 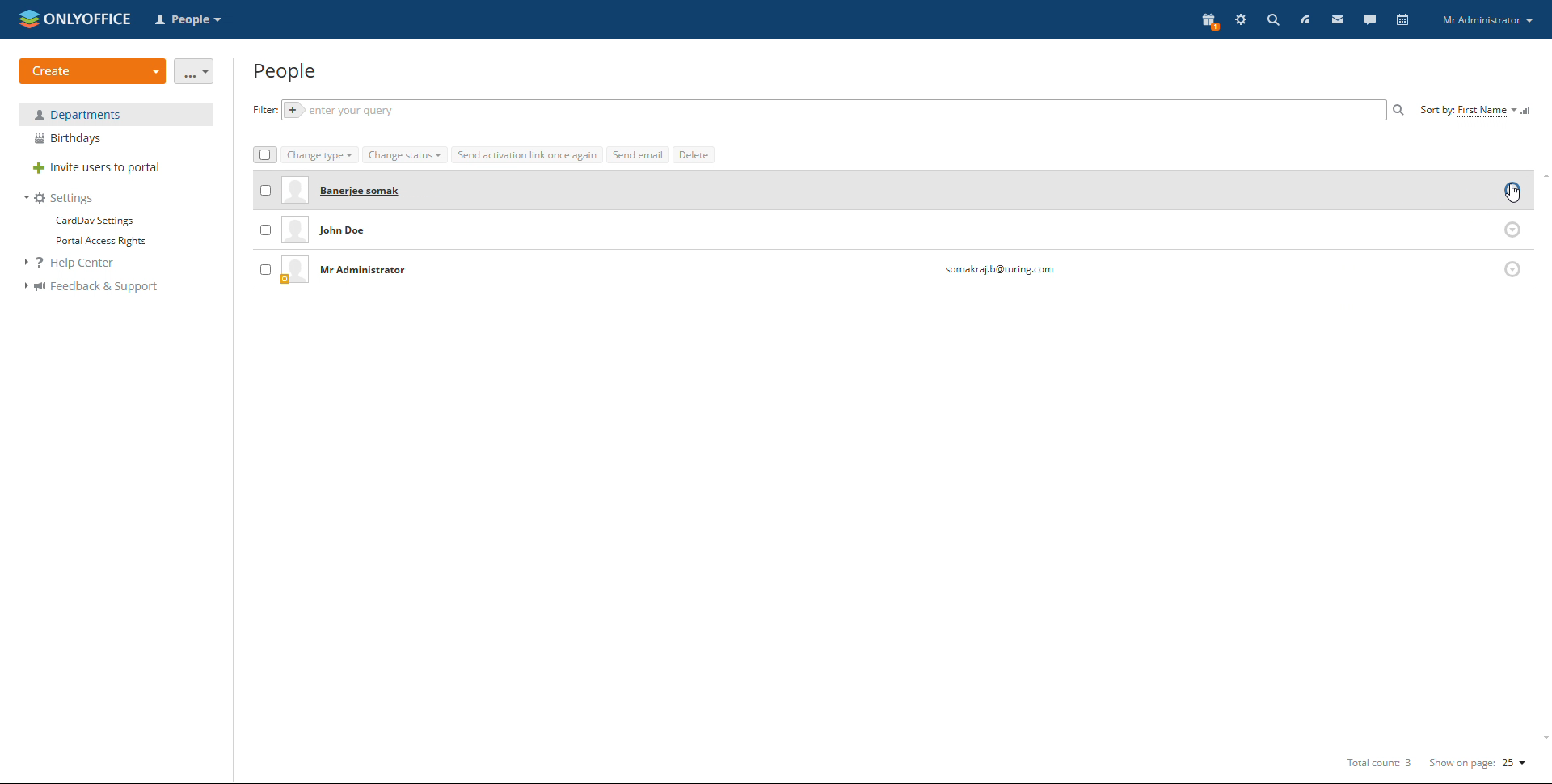 I want to click on settings, so click(x=1241, y=21).